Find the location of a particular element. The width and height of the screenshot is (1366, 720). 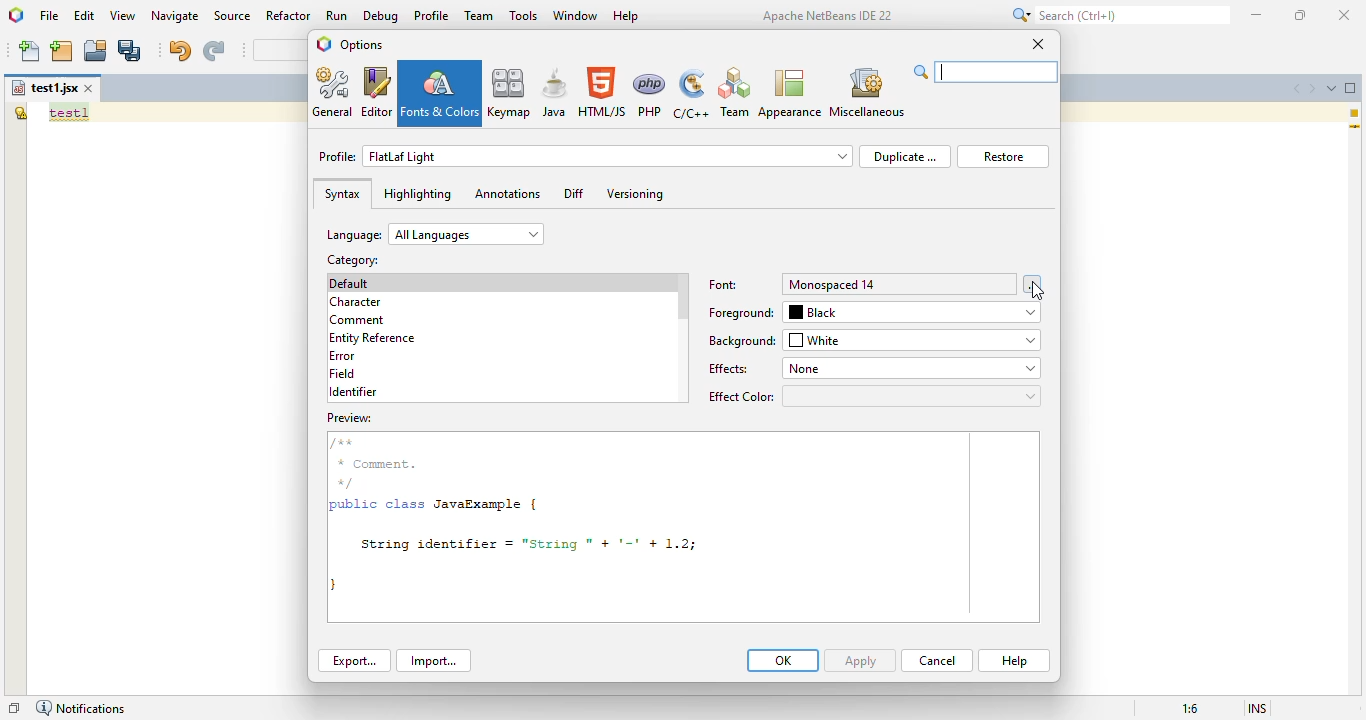

effect color: is located at coordinates (873, 395).